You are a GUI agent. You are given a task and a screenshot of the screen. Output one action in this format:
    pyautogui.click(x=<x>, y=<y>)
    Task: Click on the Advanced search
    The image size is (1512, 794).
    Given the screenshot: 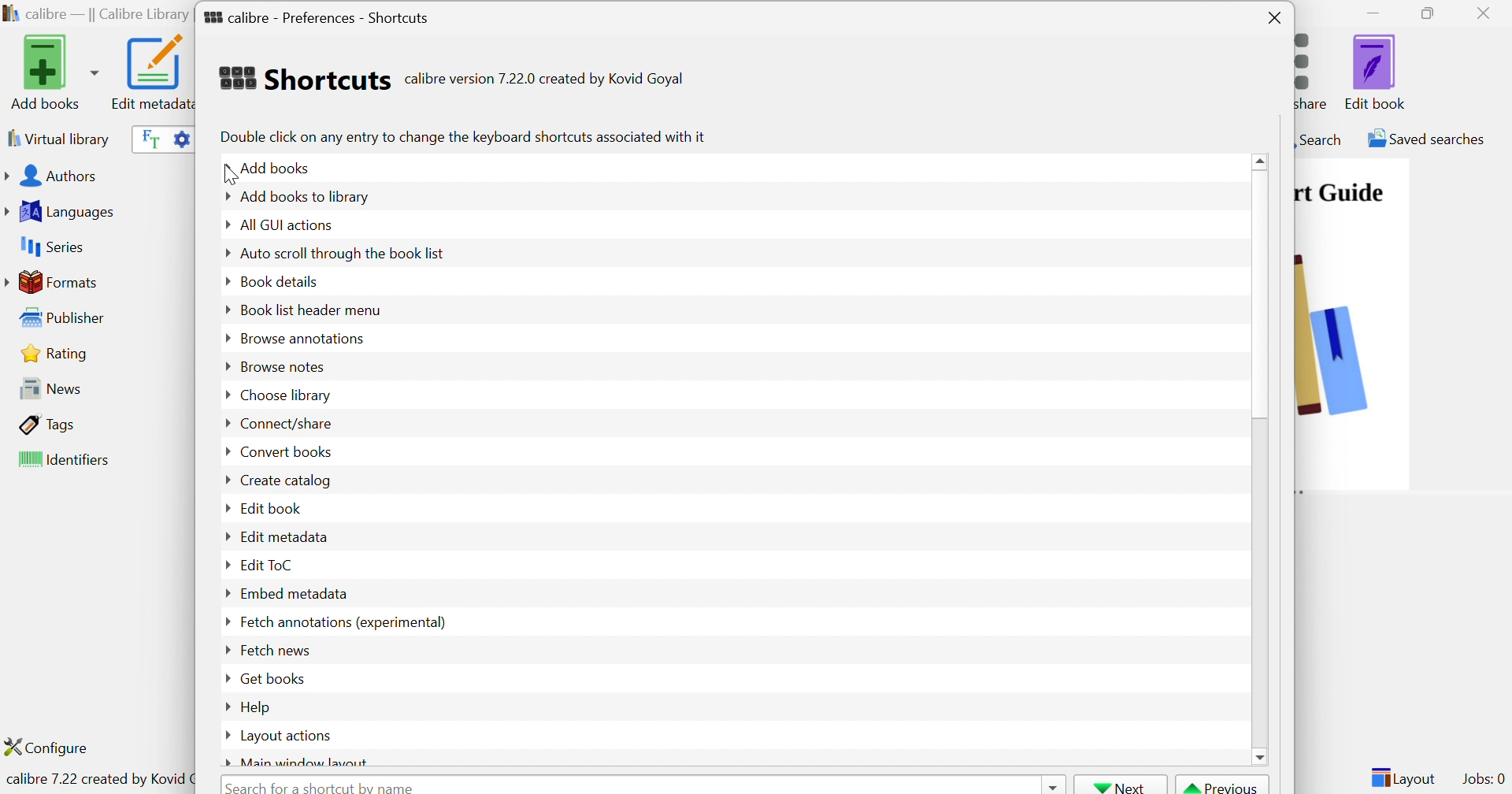 What is the action you would take?
    pyautogui.click(x=180, y=137)
    